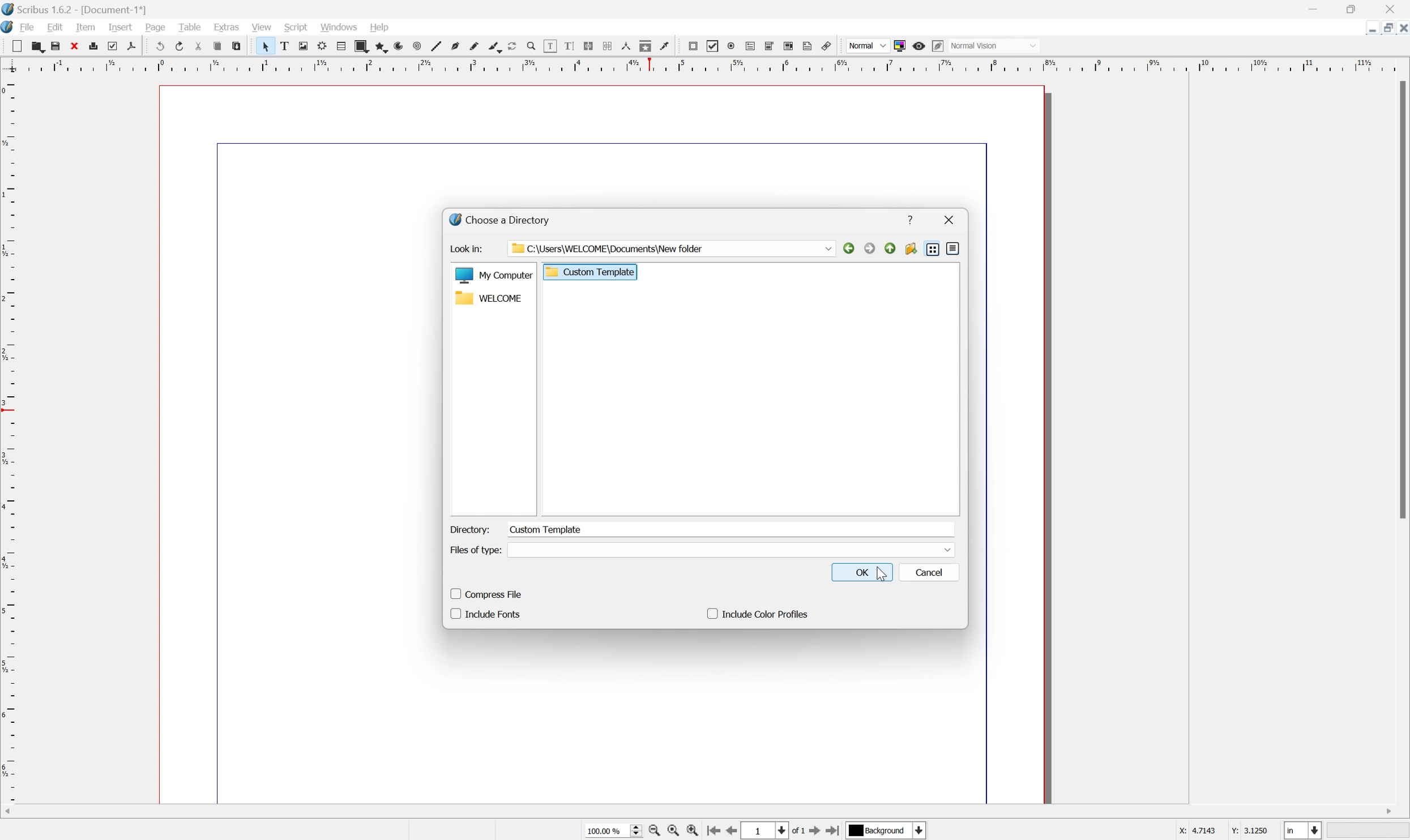 The width and height of the screenshot is (1410, 840). Describe the element at coordinates (131, 47) in the screenshot. I see `save as pdf` at that location.